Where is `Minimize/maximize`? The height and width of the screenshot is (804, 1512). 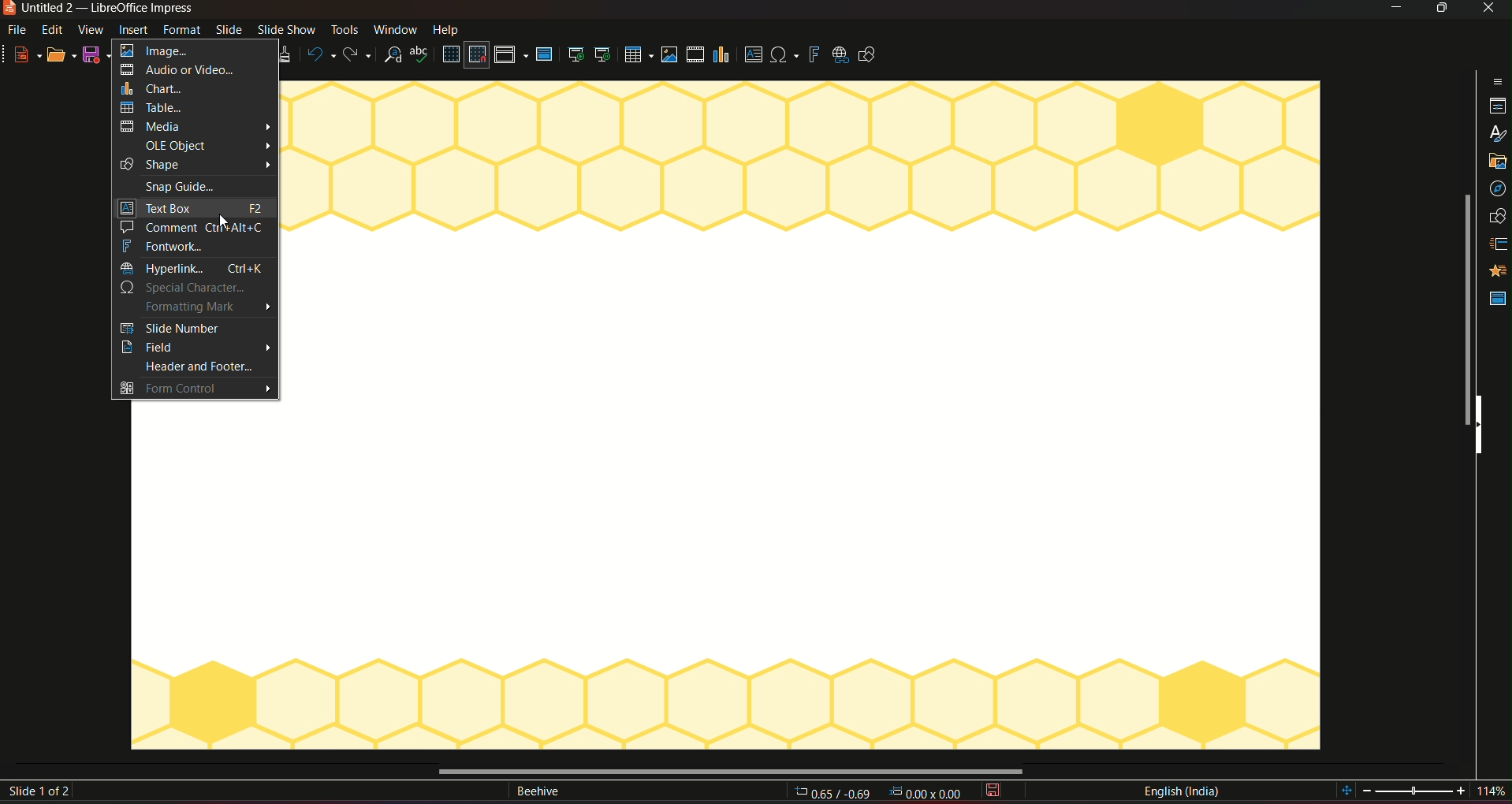 Minimize/maximize is located at coordinates (1440, 9).